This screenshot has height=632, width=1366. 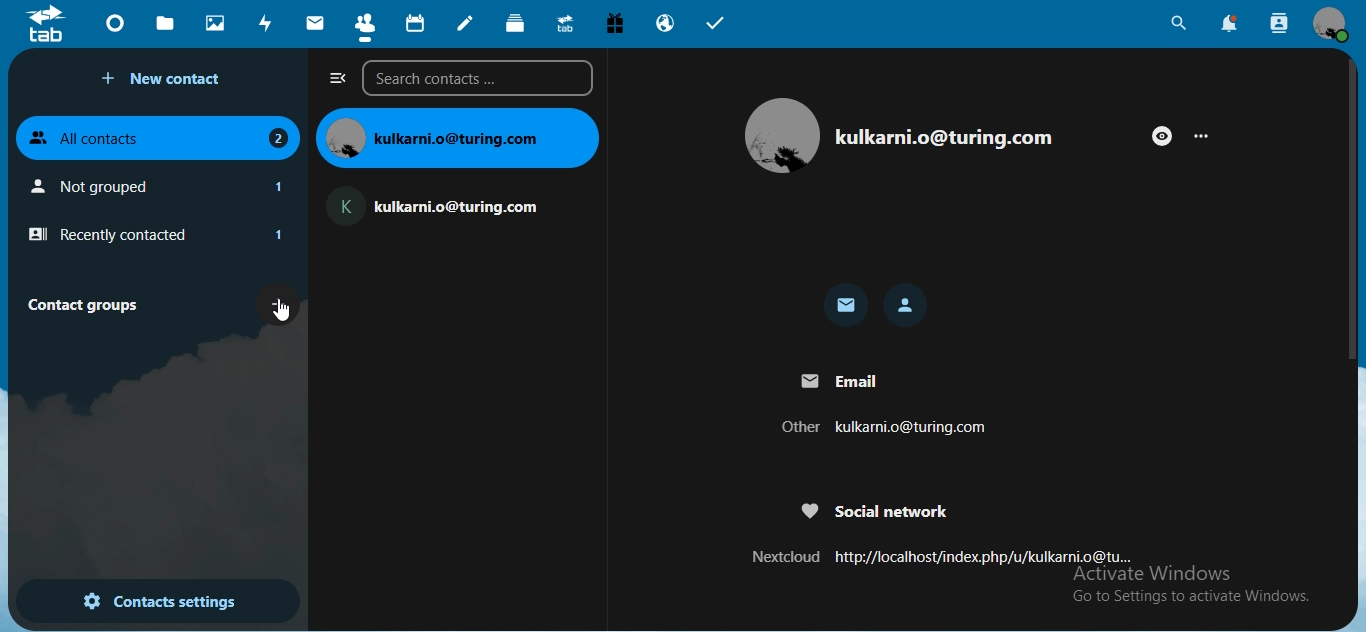 I want to click on recently contacted, so click(x=155, y=235).